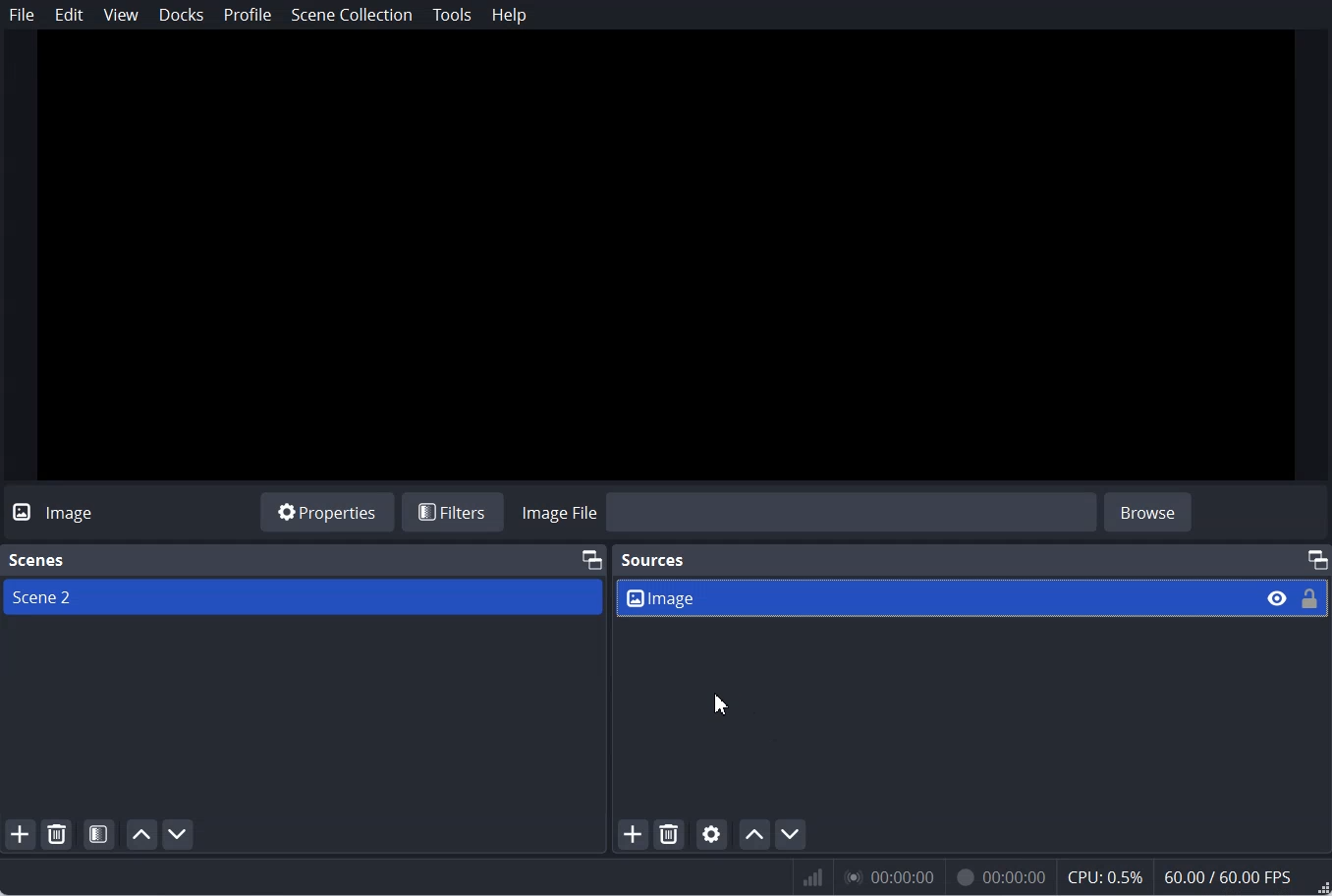  What do you see at coordinates (1316, 558) in the screenshot?
I see `Maximum` at bounding box center [1316, 558].